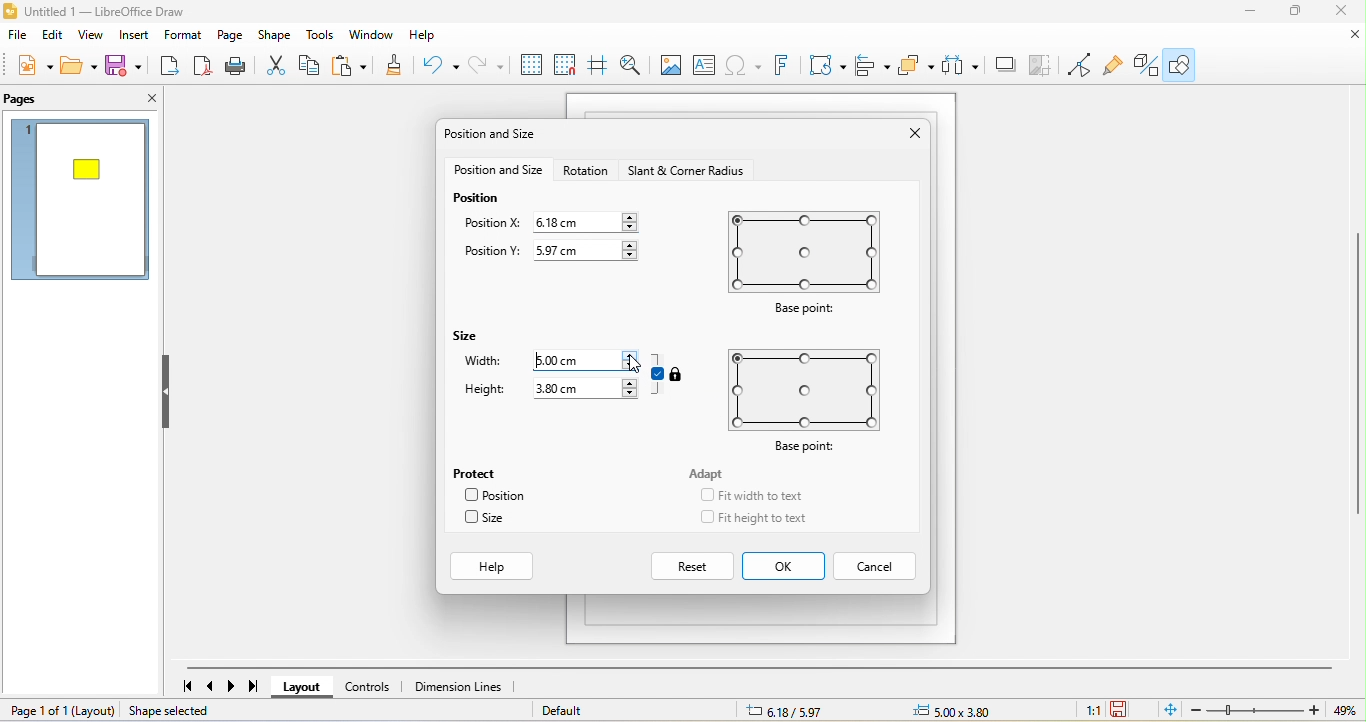  What do you see at coordinates (138, 35) in the screenshot?
I see `insert` at bounding box center [138, 35].